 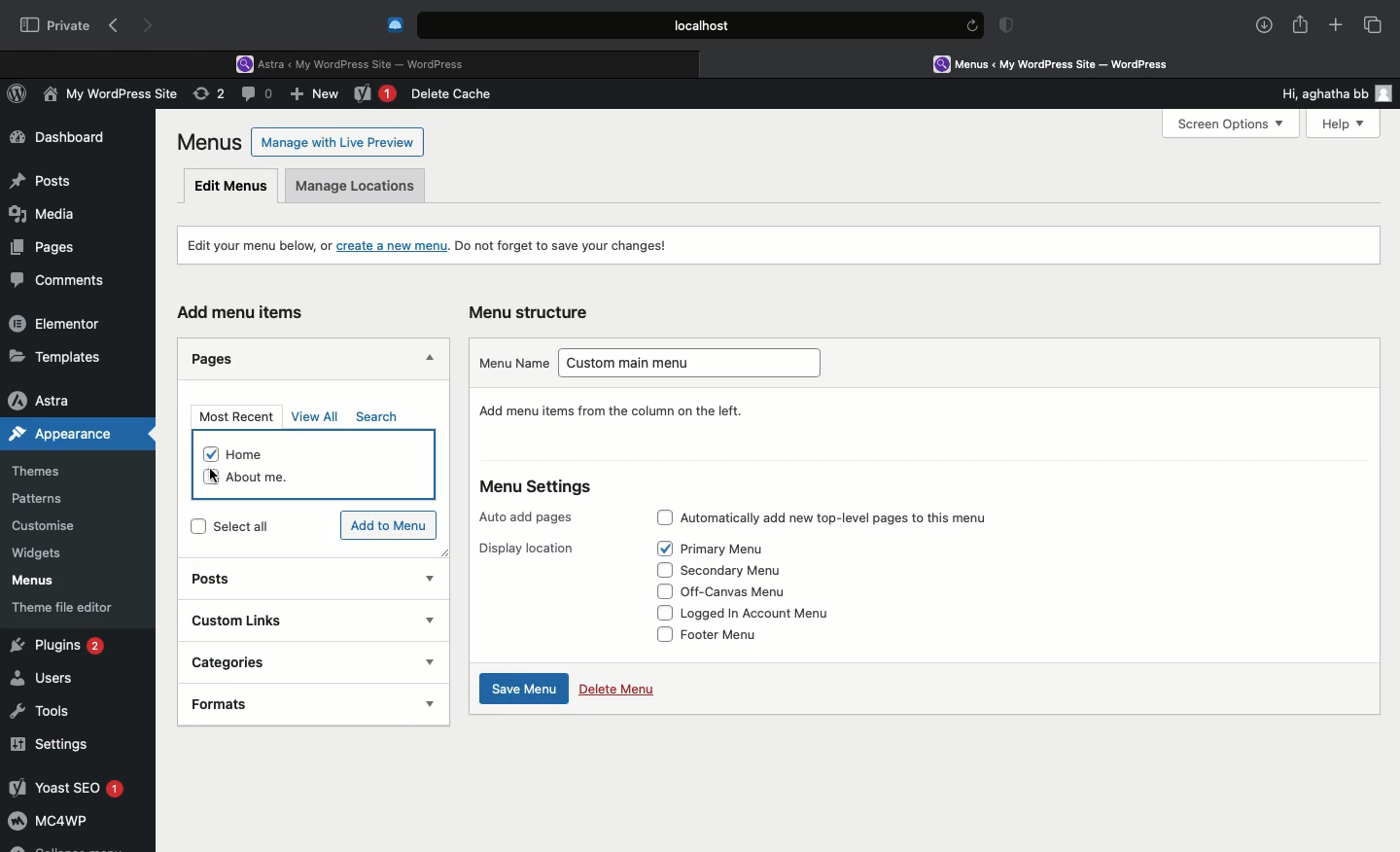 I want to click on Hide, so click(x=427, y=360).